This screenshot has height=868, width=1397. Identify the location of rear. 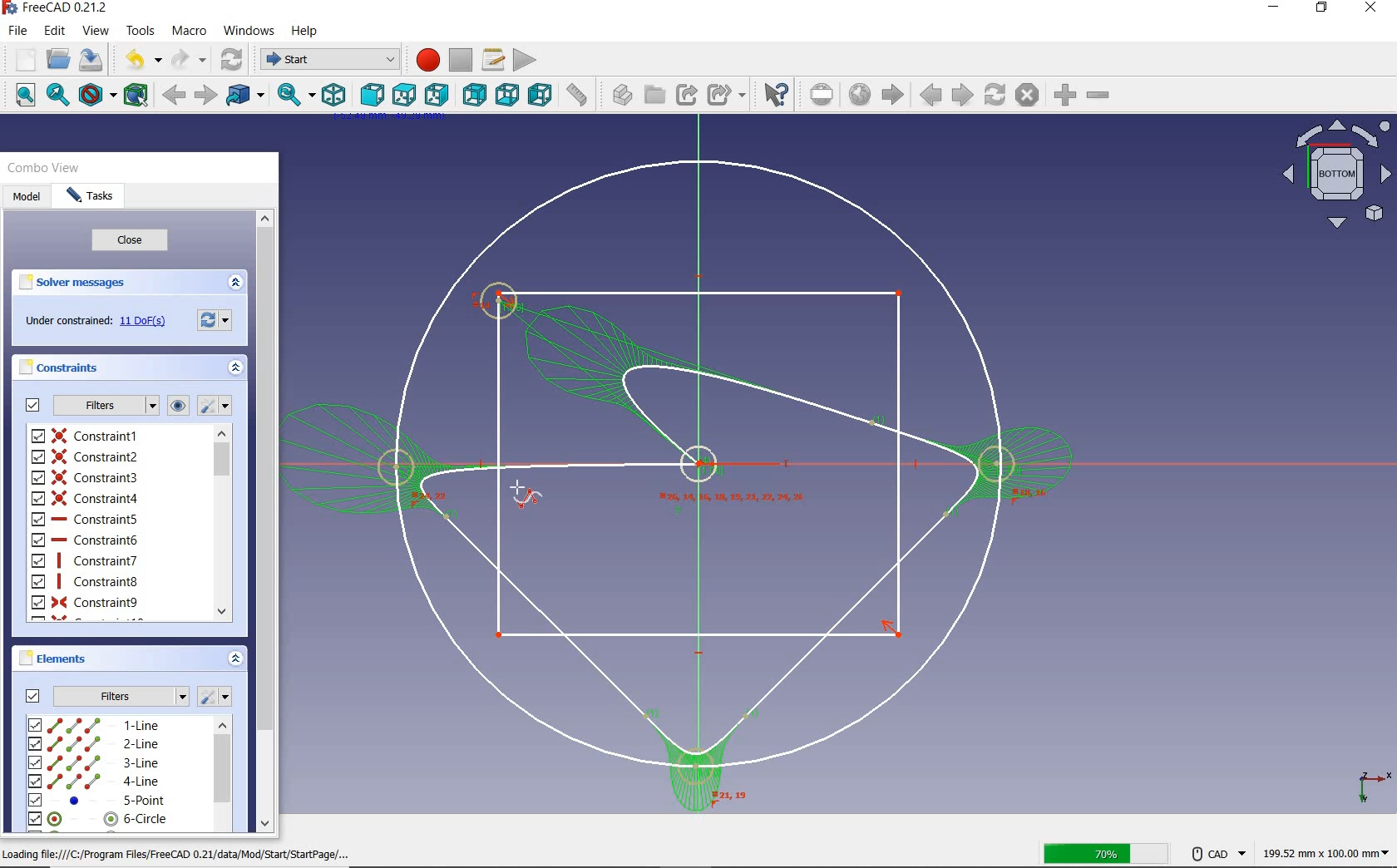
(476, 96).